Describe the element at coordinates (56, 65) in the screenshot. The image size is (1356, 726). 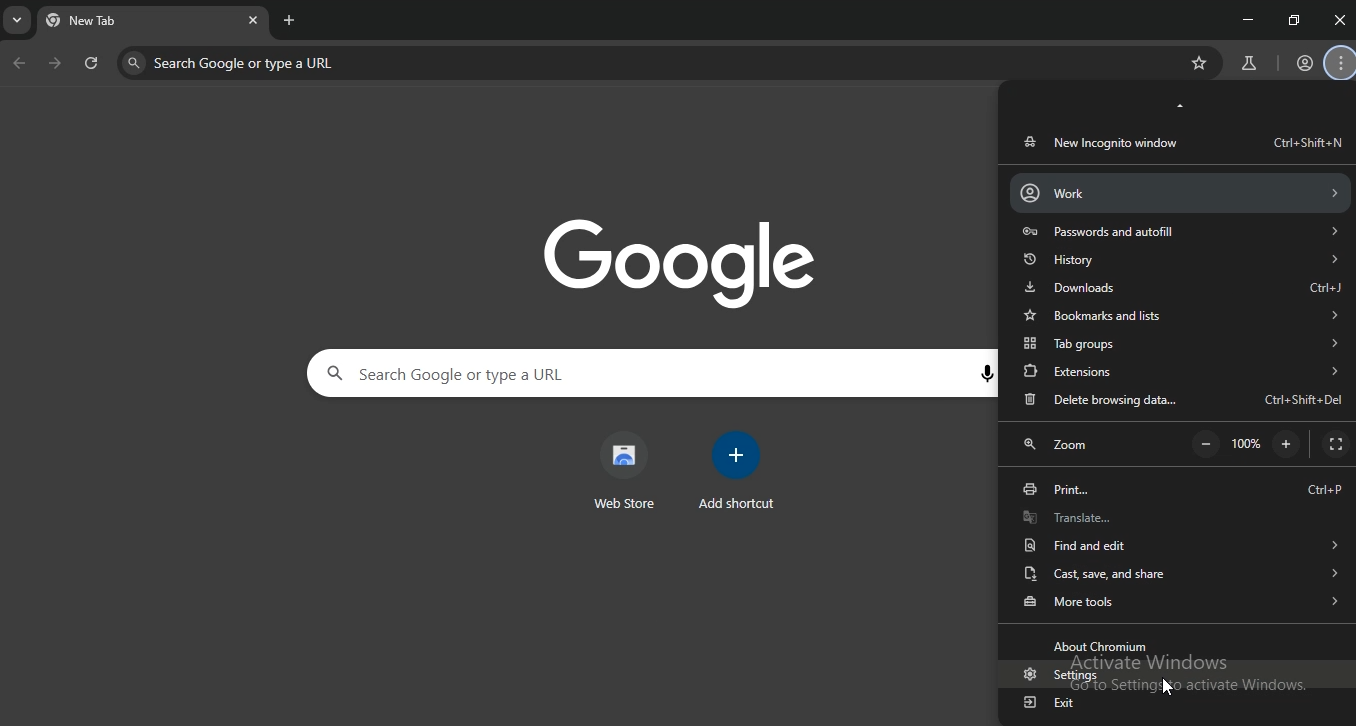
I see `next page` at that location.